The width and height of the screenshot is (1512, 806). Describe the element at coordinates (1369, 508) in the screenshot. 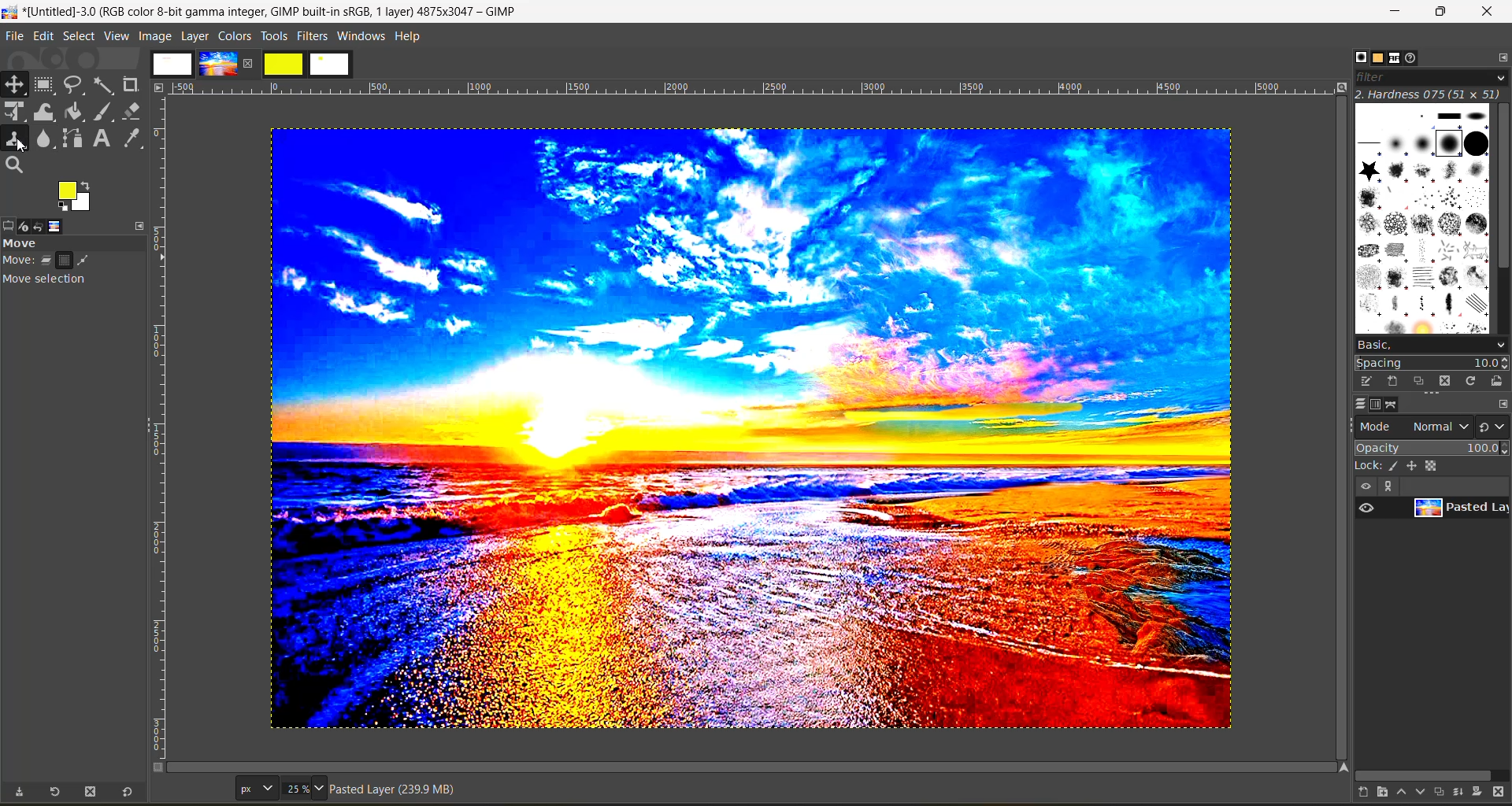

I see `preview` at that location.